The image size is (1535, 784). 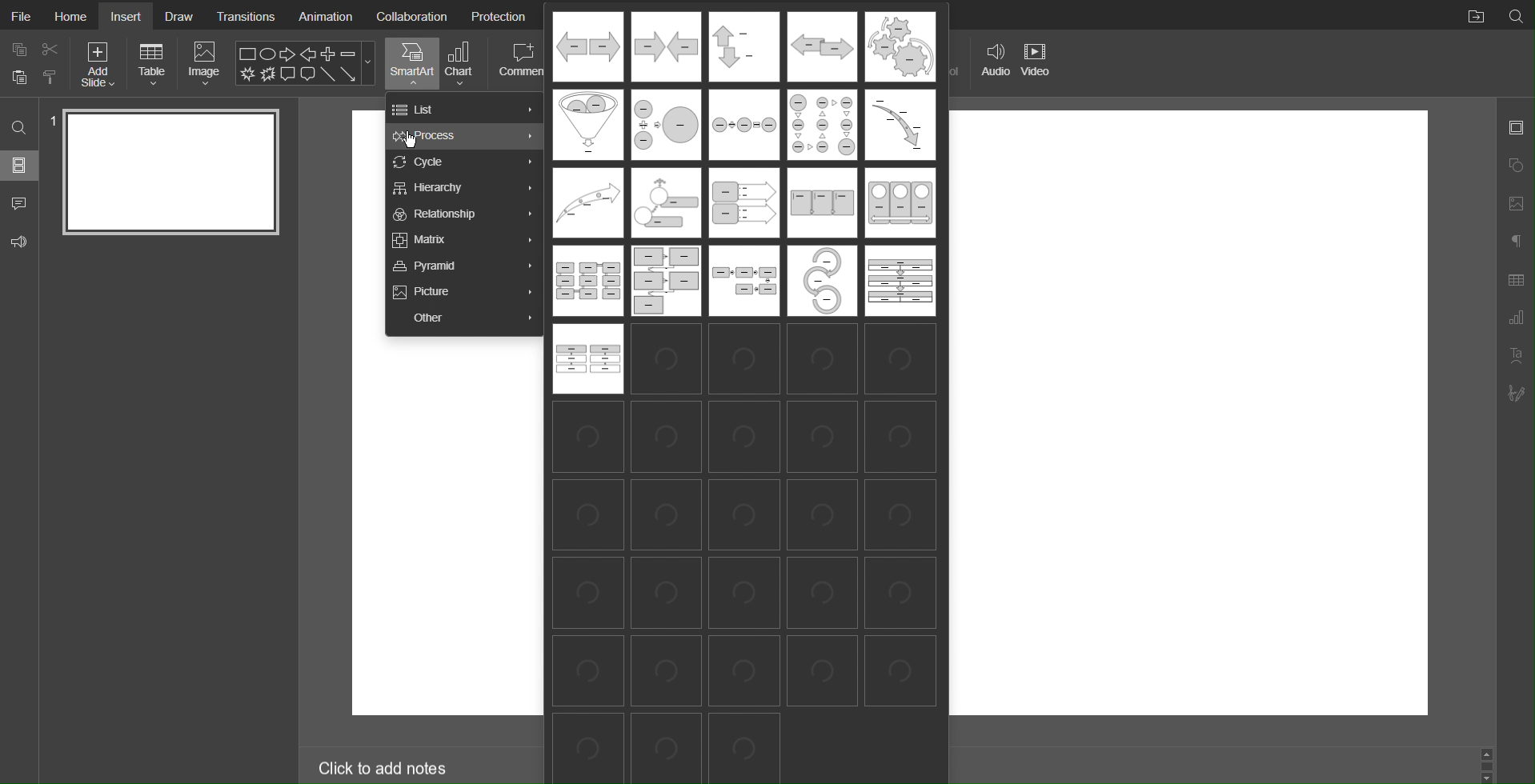 What do you see at coordinates (1472, 14) in the screenshot?
I see `Open File Location` at bounding box center [1472, 14].